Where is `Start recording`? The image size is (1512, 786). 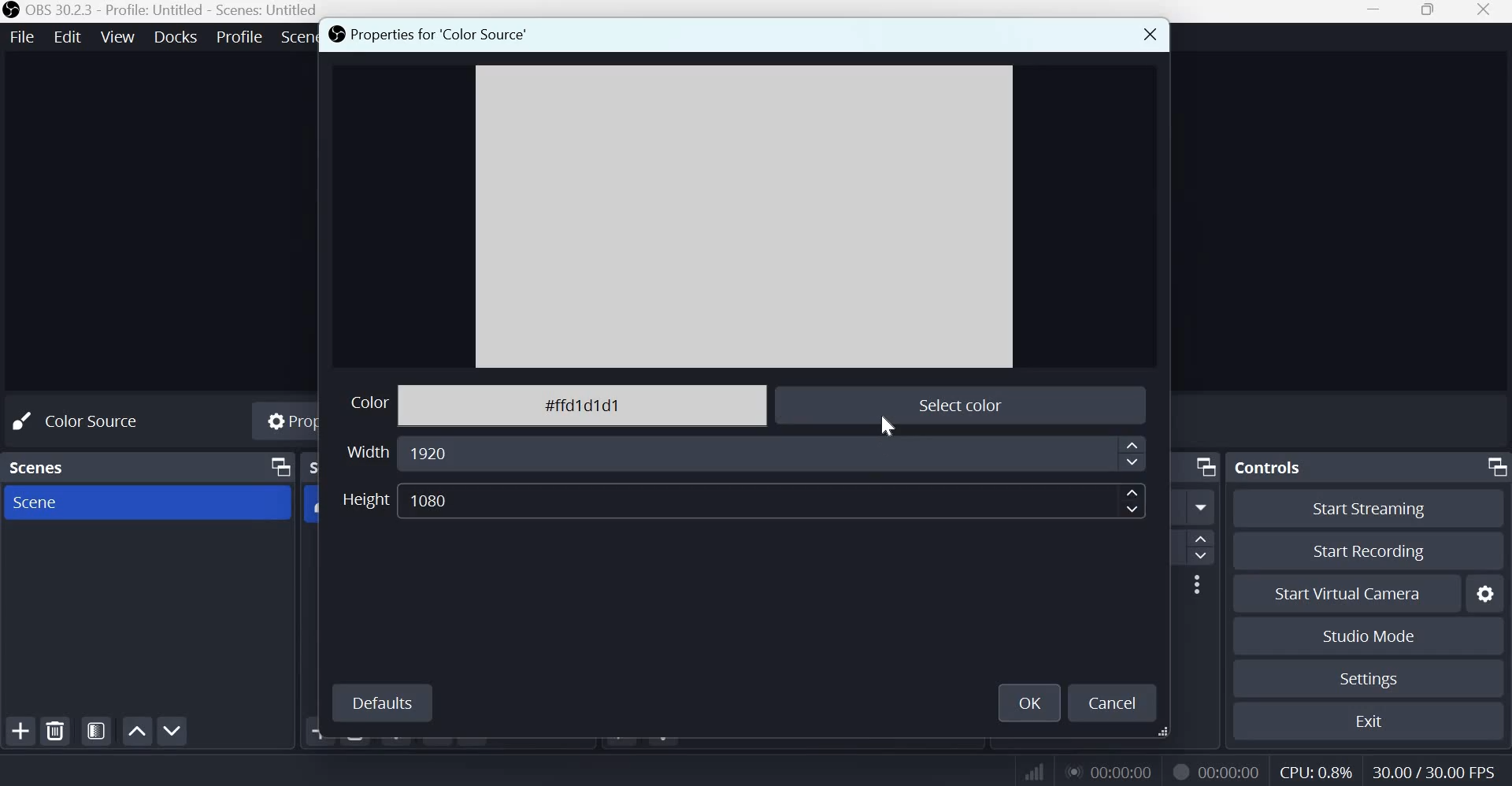
Start recording is located at coordinates (1377, 552).